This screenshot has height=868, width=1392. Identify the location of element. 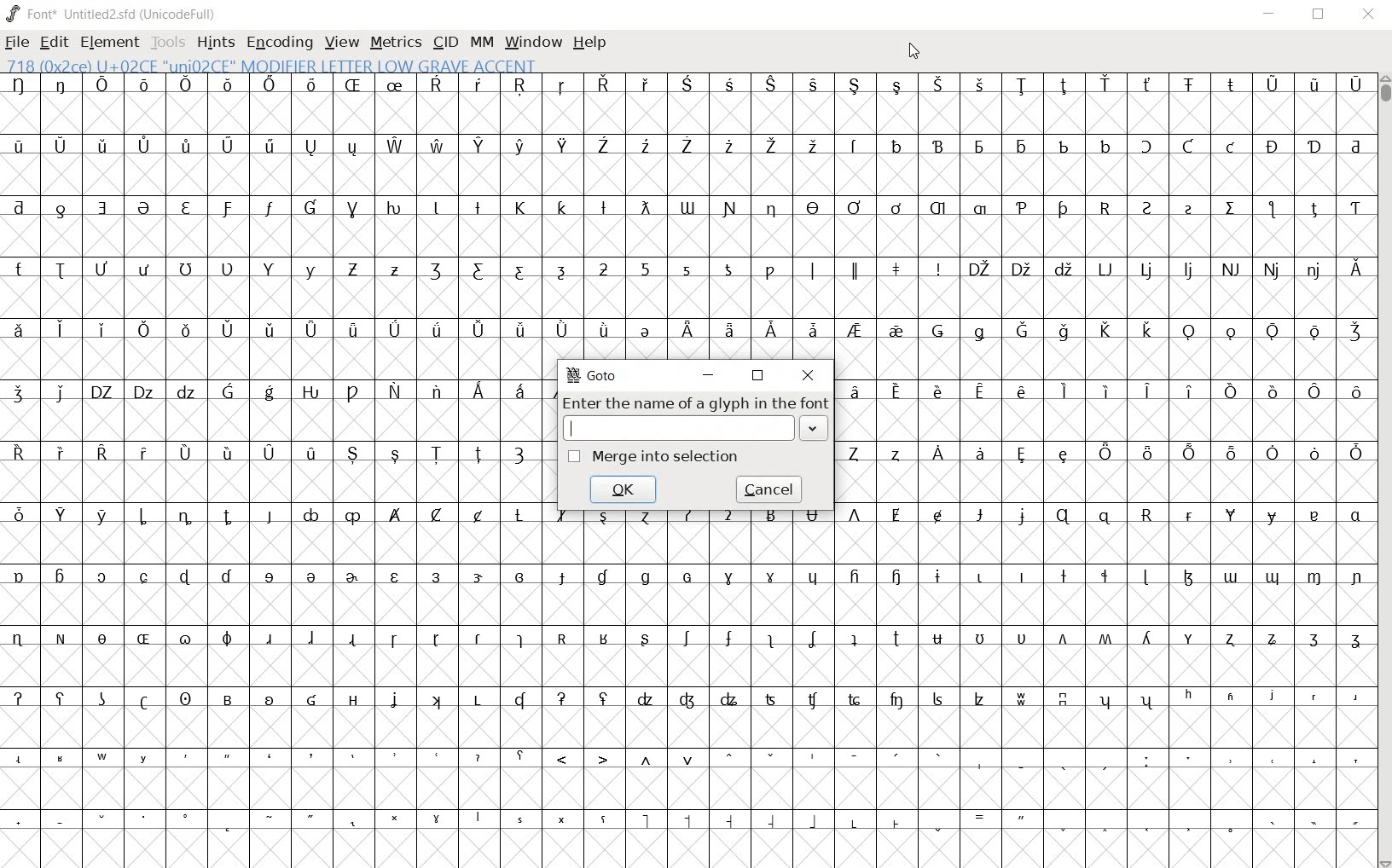
(109, 42).